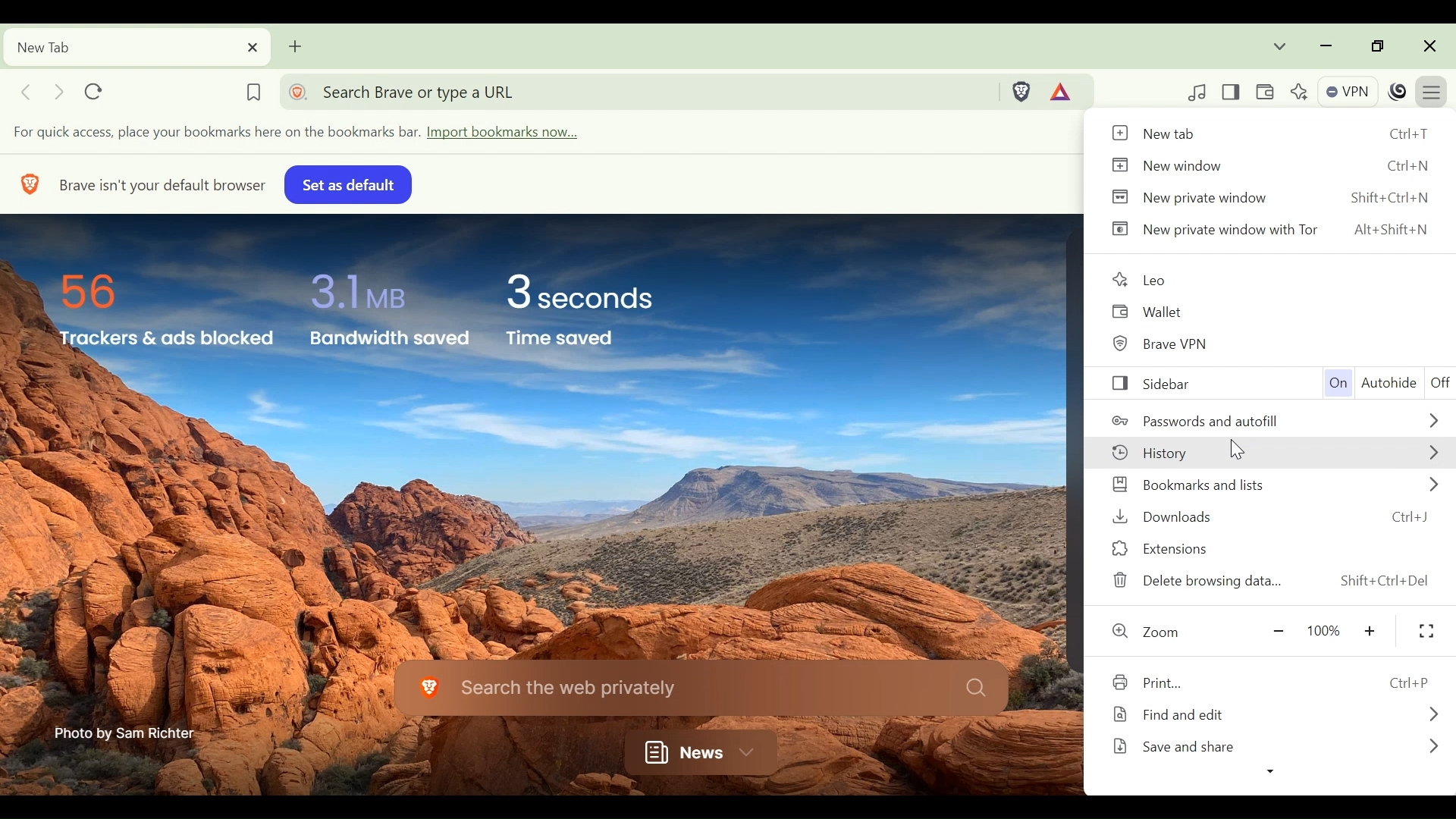 This screenshot has height=819, width=1456. What do you see at coordinates (1180, 384) in the screenshot?
I see ` Sidebar` at bounding box center [1180, 384].